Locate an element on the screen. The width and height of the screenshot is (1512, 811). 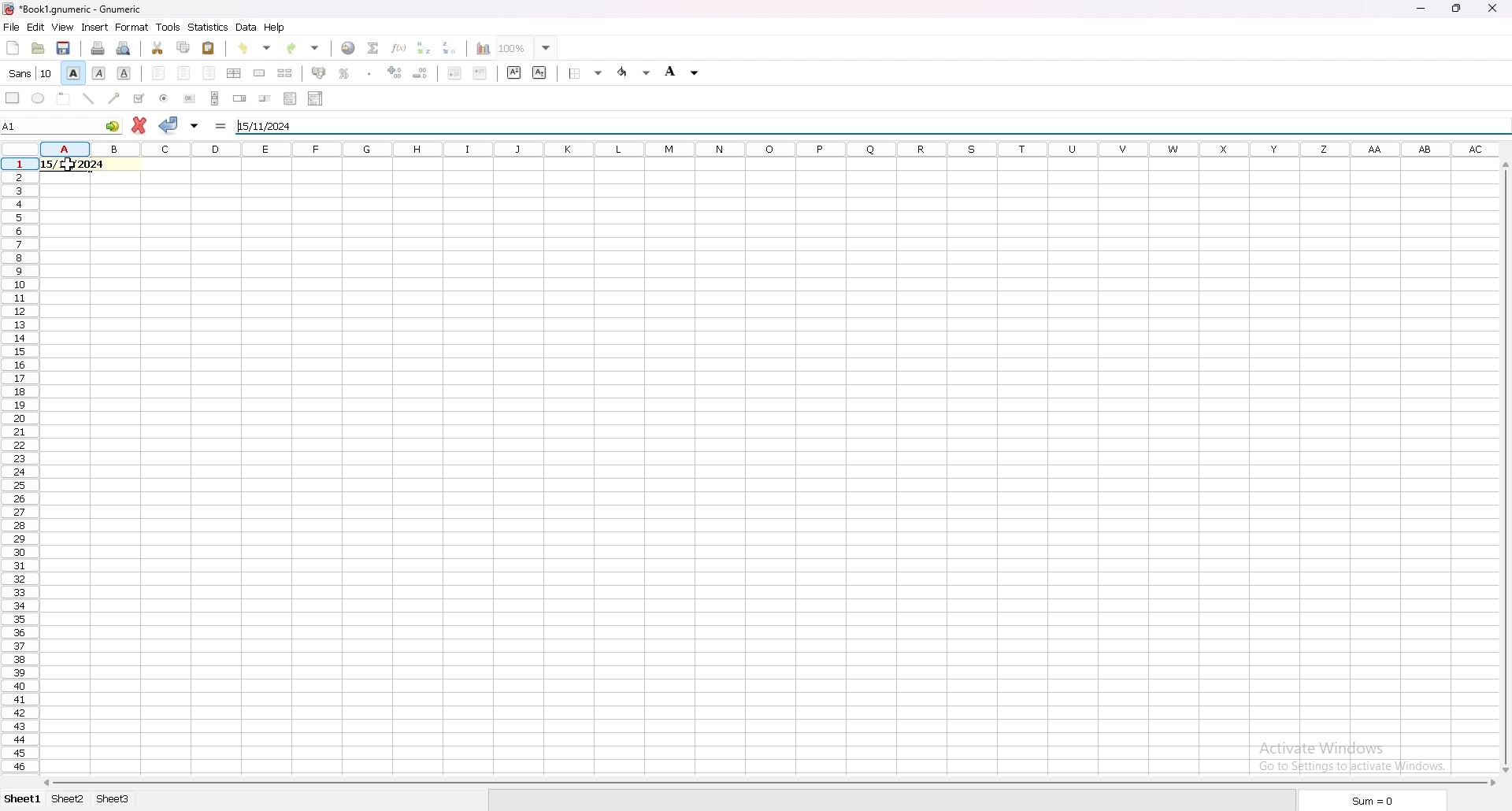
background is located at coordinates (634, 72).